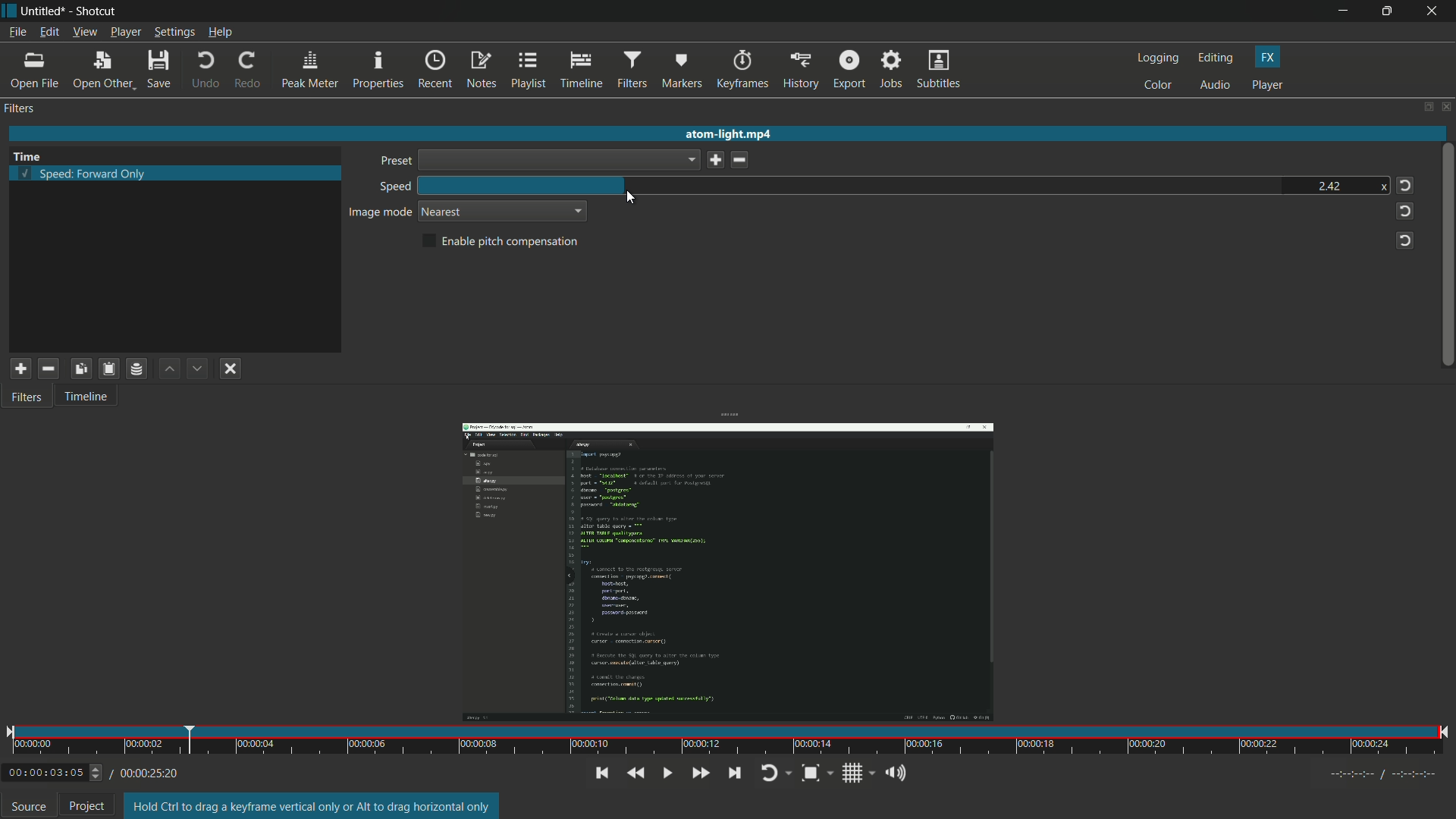 This screenshot has width=1456, height=819. Describe the element at coordinates (632, 71) in the screenshot. I see `filters` at that location.